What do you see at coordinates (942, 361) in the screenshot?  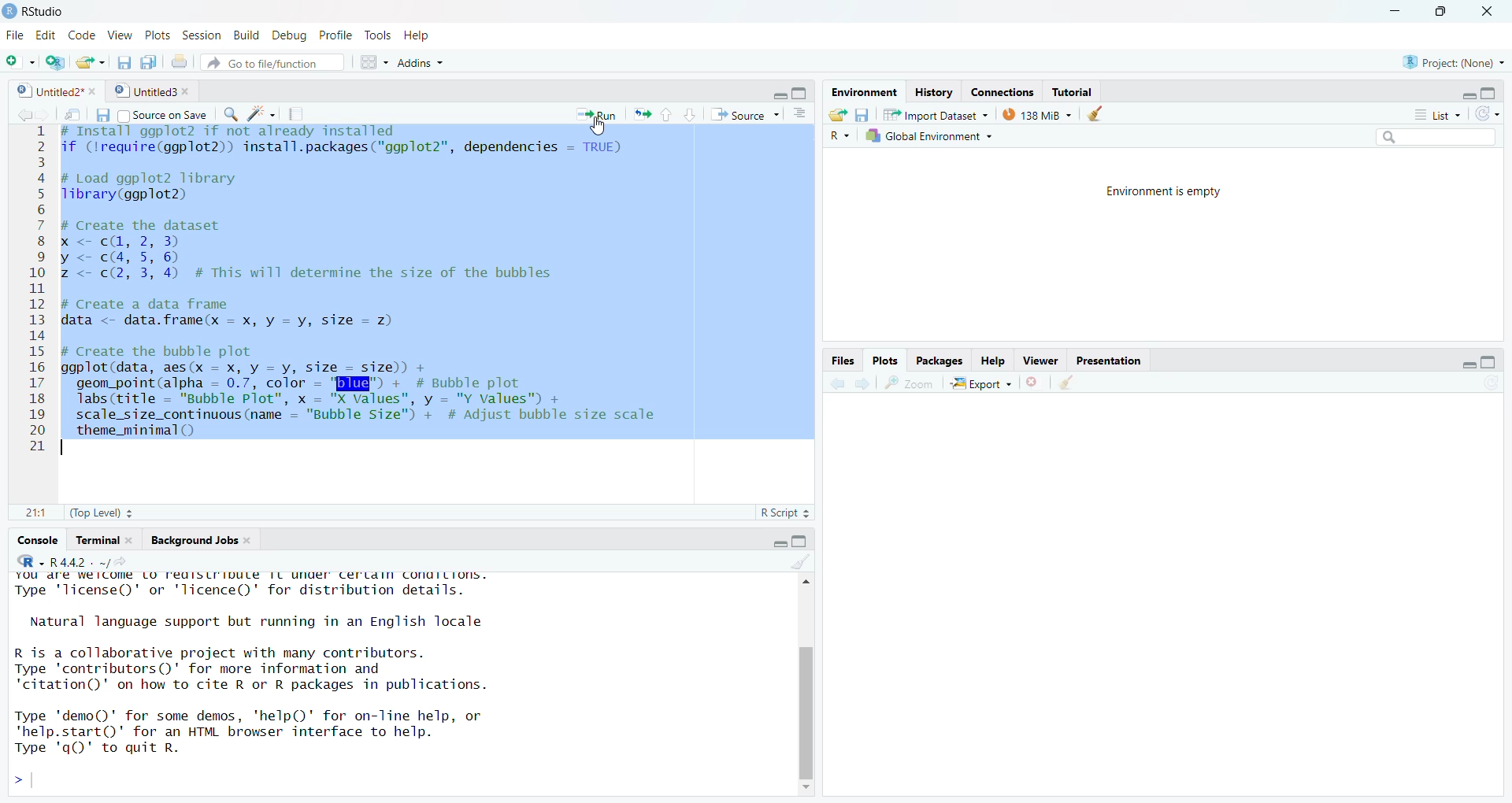 I see `Packages` at bounding box center [942, 361].